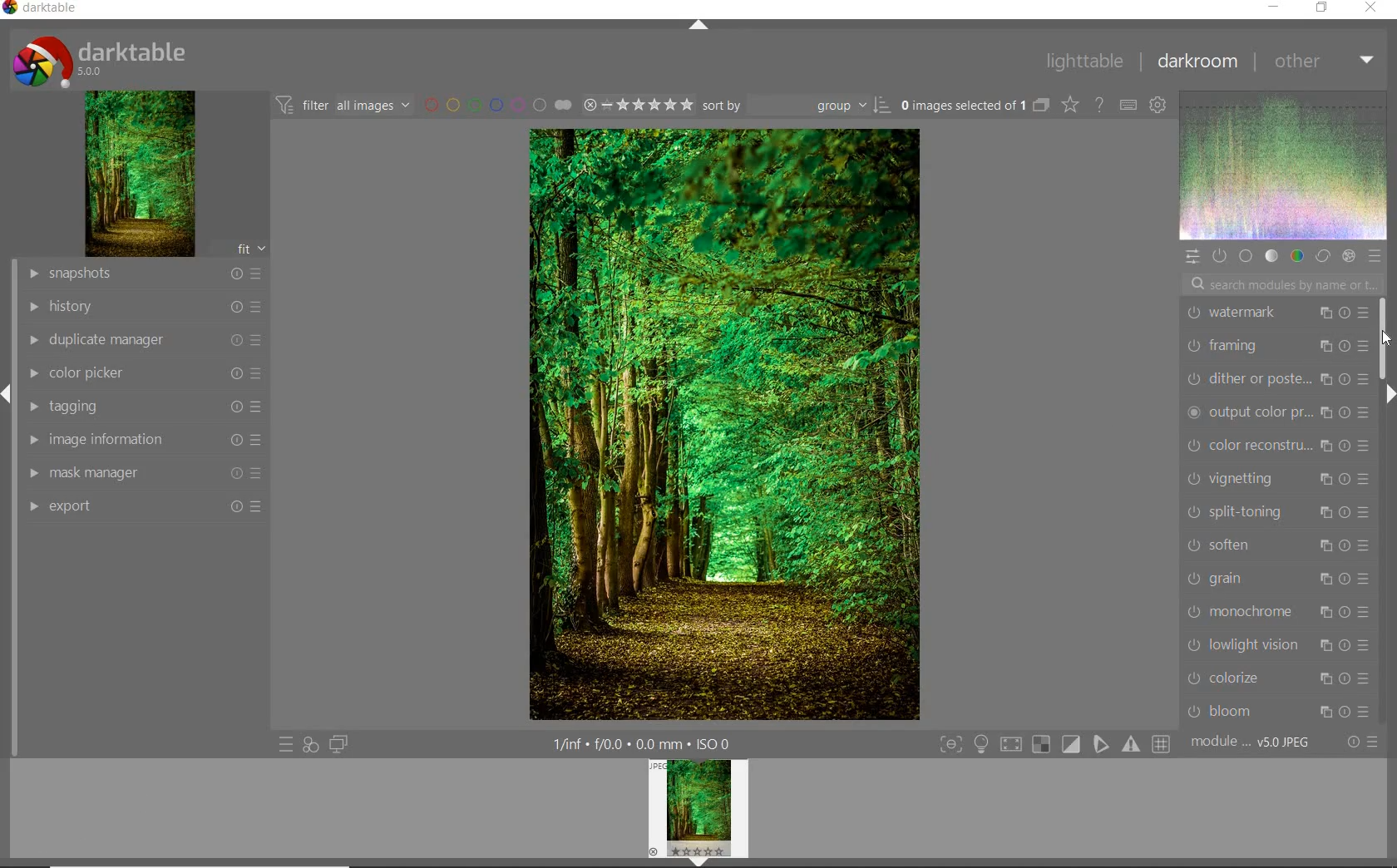  What do you see at coordinates (309, 745) in the screenshot?
I see `QUICK ACCESS FOR APPLYING OF YOUR STYLES` at bounding box center [309, 745].